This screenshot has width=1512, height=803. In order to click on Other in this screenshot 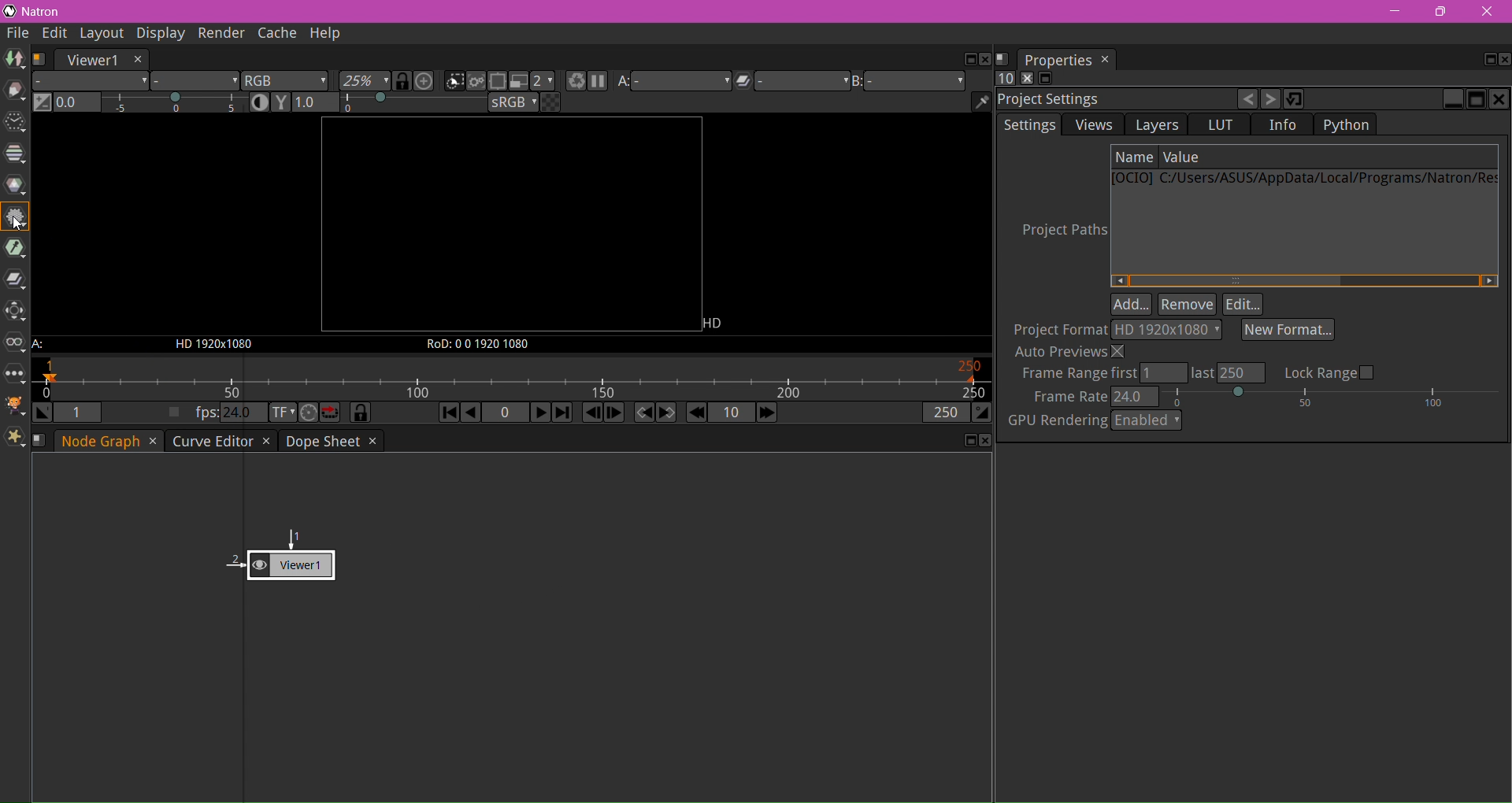, I will do `click(14, 376)`.